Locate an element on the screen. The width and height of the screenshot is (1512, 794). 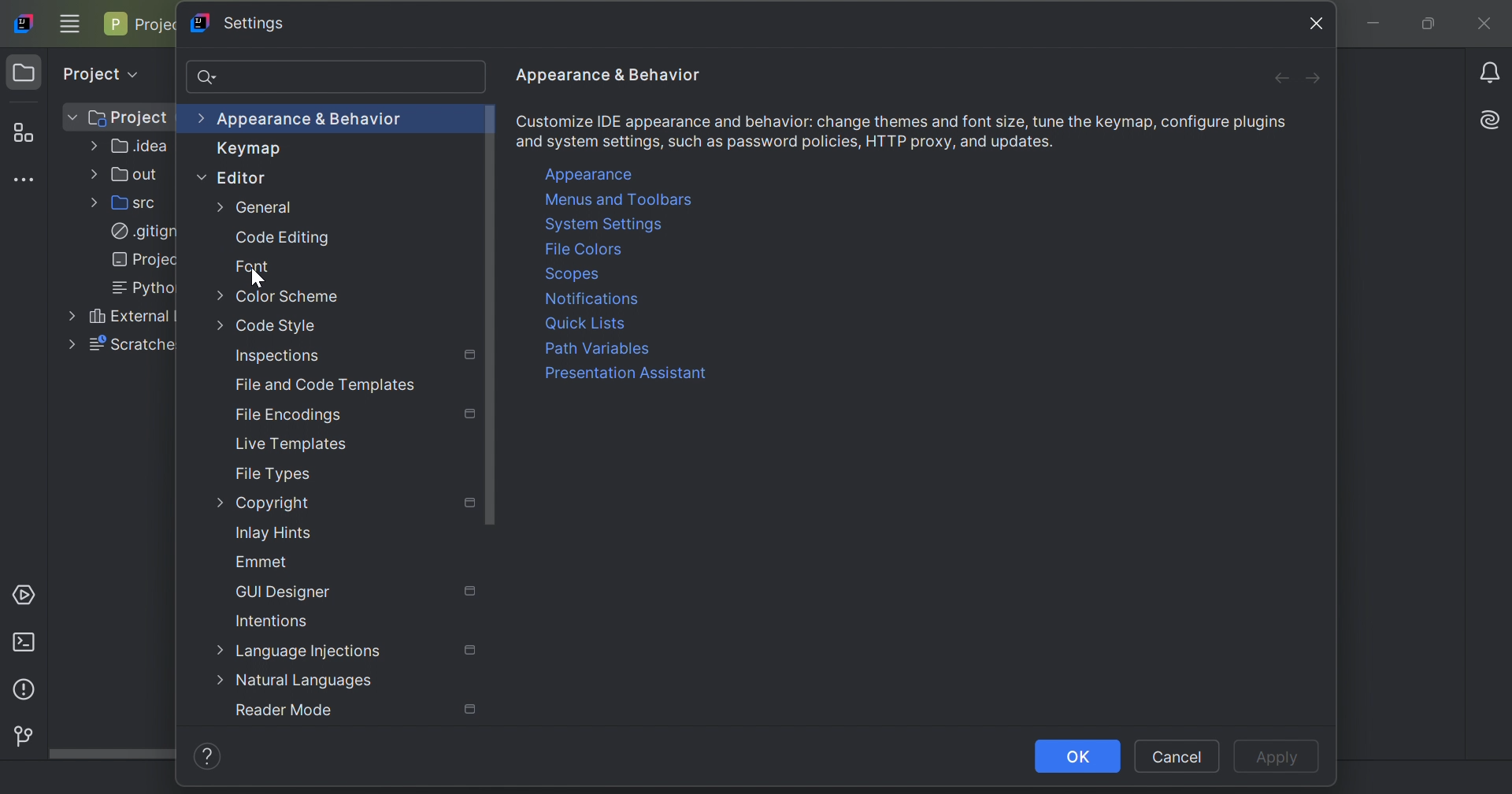
AI Assistant is located at coordinates (1493, 117).